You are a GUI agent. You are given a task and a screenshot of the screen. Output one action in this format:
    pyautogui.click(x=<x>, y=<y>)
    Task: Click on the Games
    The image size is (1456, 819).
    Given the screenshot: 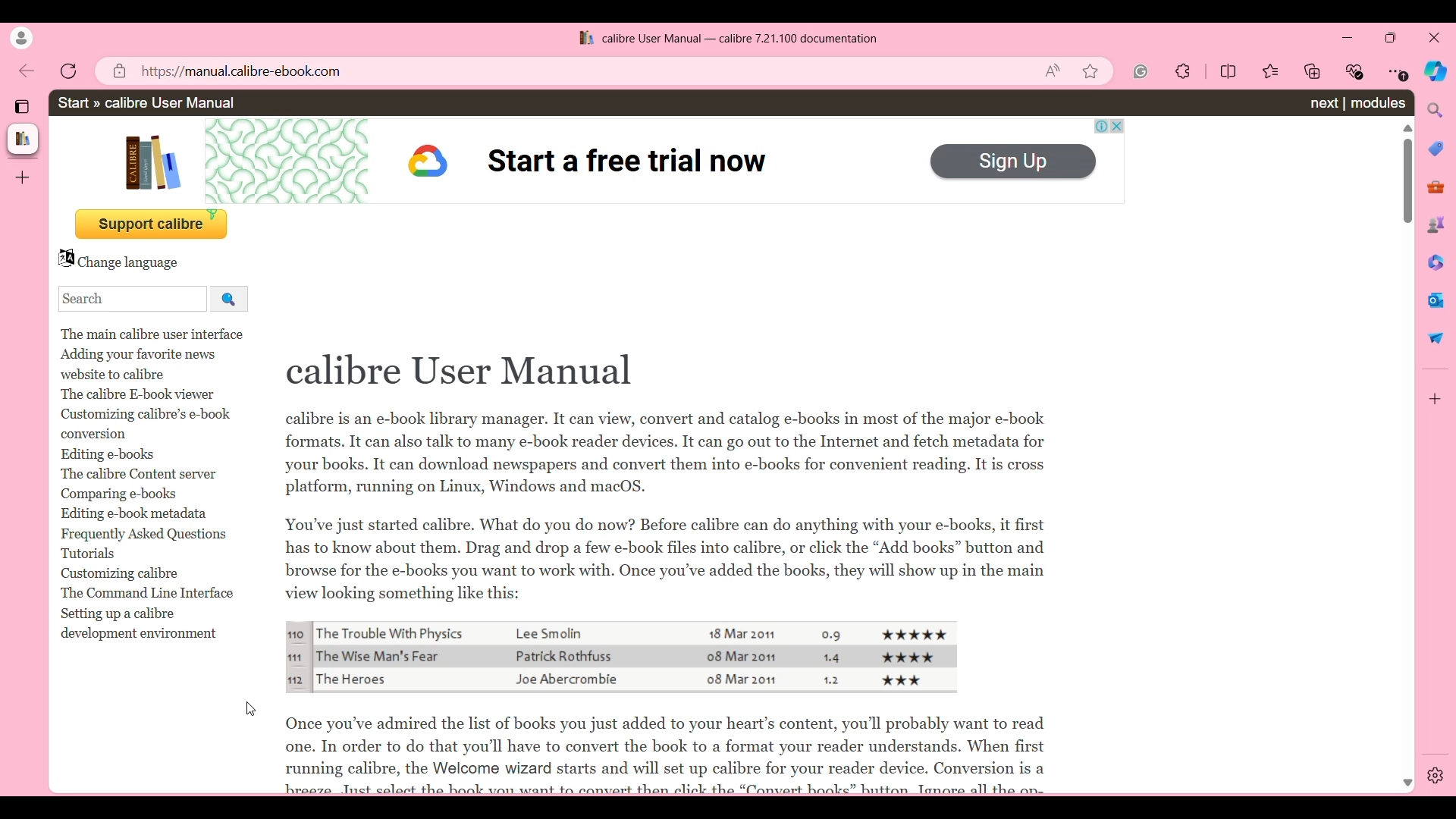 What is the action you would take?
    pyautogui.click(x=1436, y=224)
    